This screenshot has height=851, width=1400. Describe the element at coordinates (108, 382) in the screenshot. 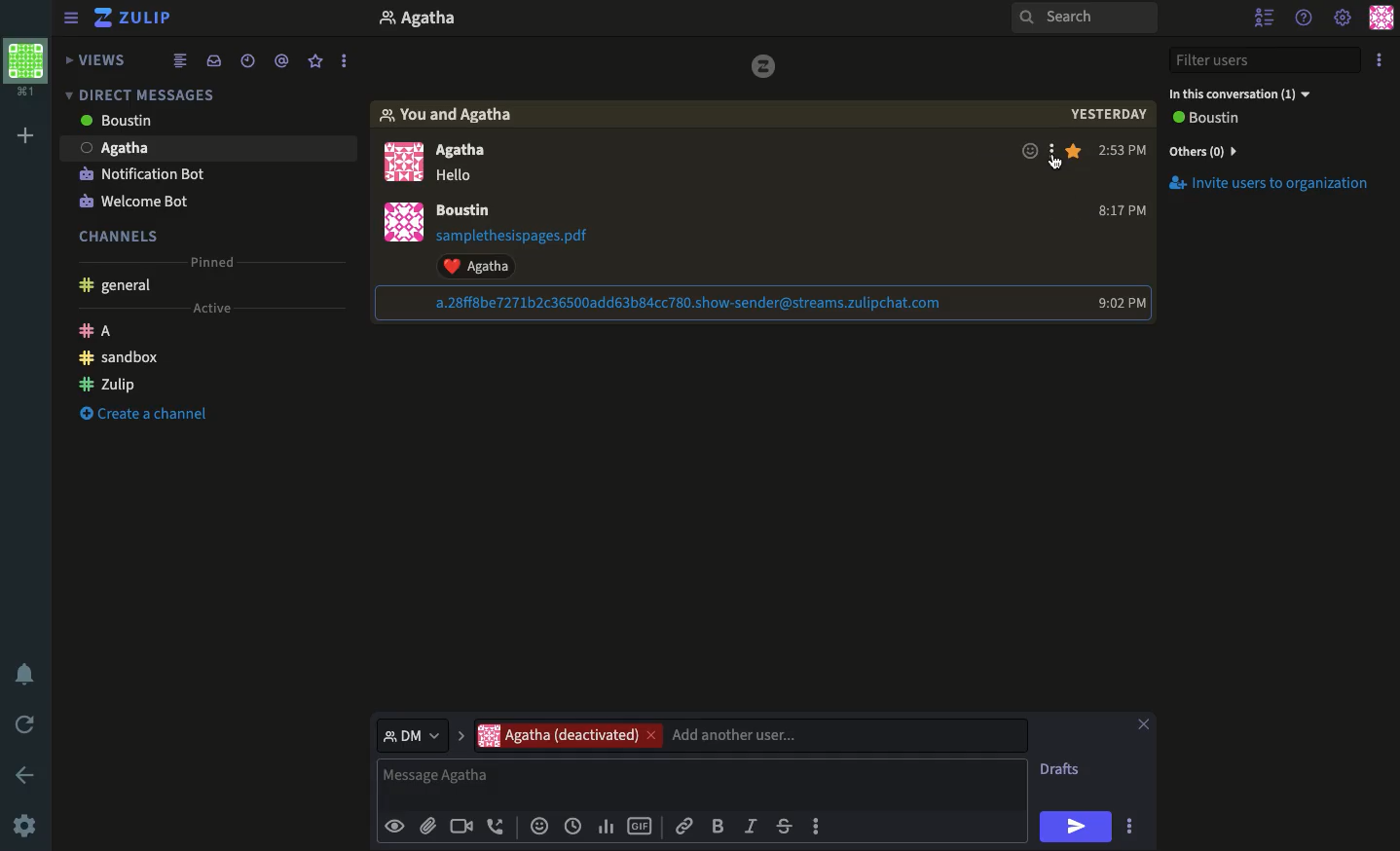

I see `Zulip` at that location.